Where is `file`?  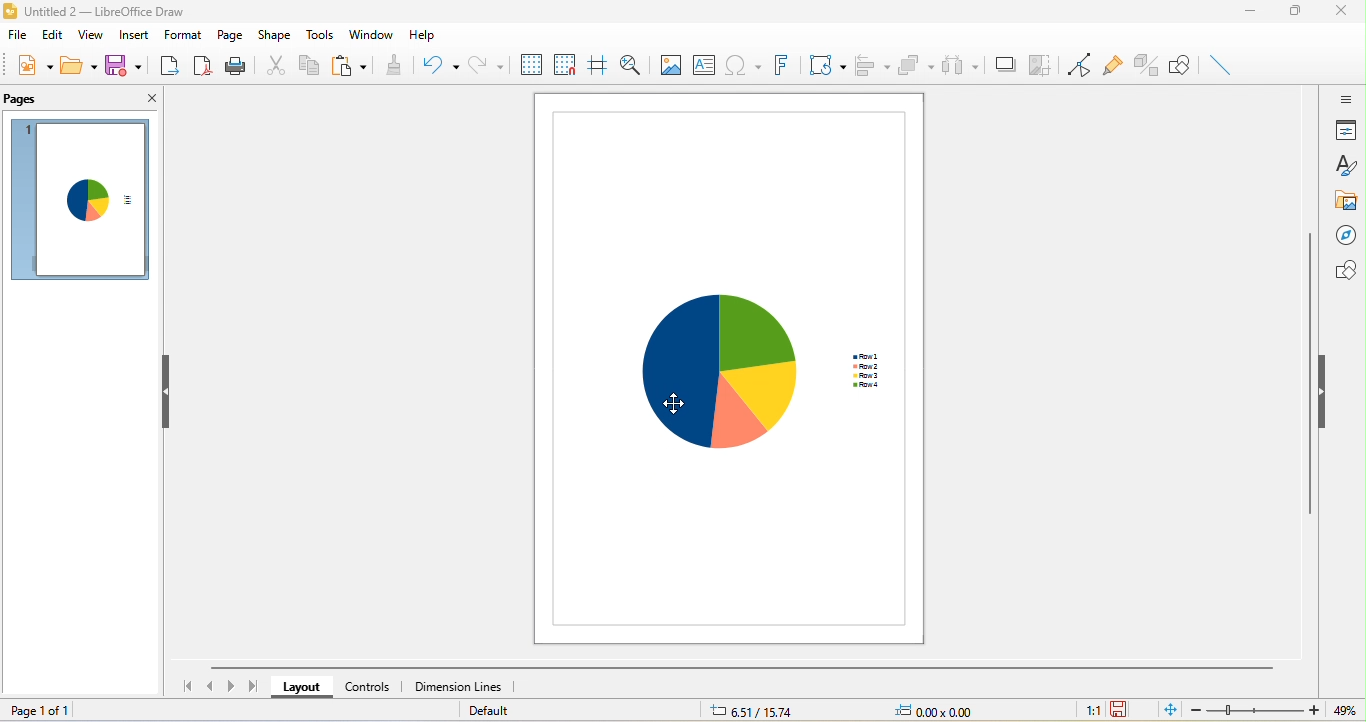 file is located at coordinates (17, 36).